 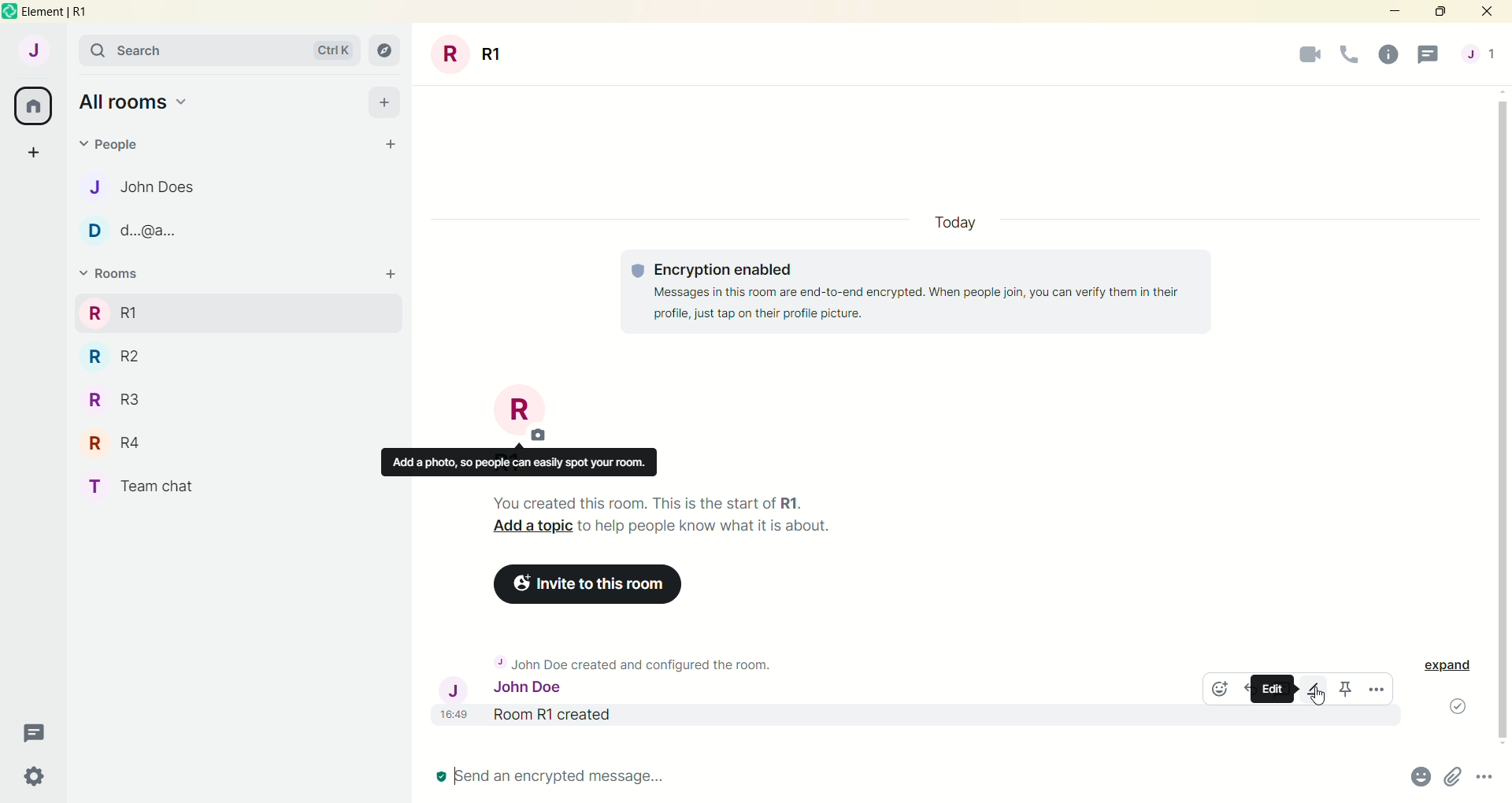 I want to click on R R4, so click(x=110, y=441).